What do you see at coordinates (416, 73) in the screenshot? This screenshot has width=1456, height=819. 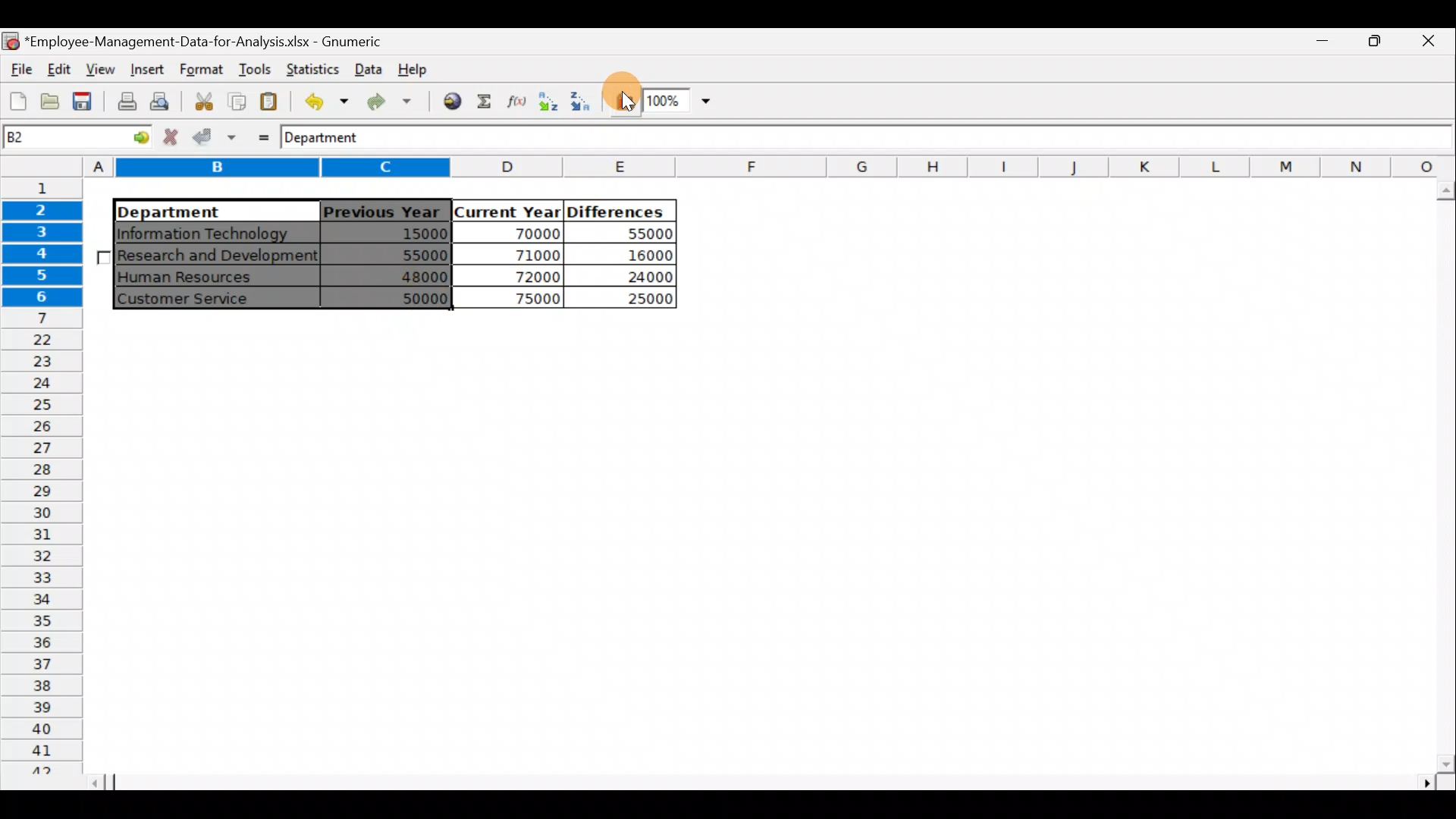 I see `Help` at bounding box center [416, 73].